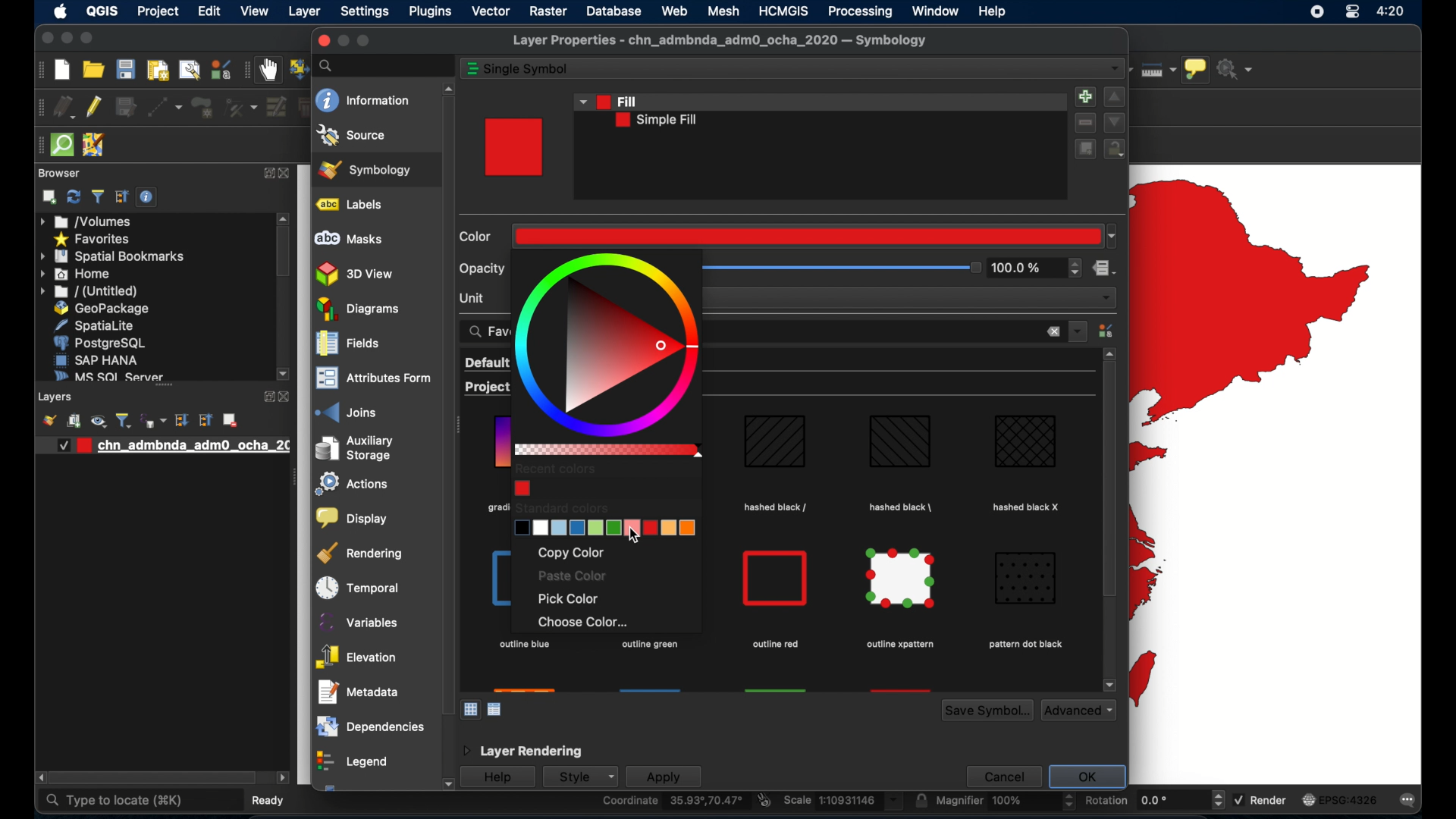 This screenshot has width=1456, height=819. Describe the element at coordinates (775, 444) in the screenshot. I see `Gradient preview ` at that location.